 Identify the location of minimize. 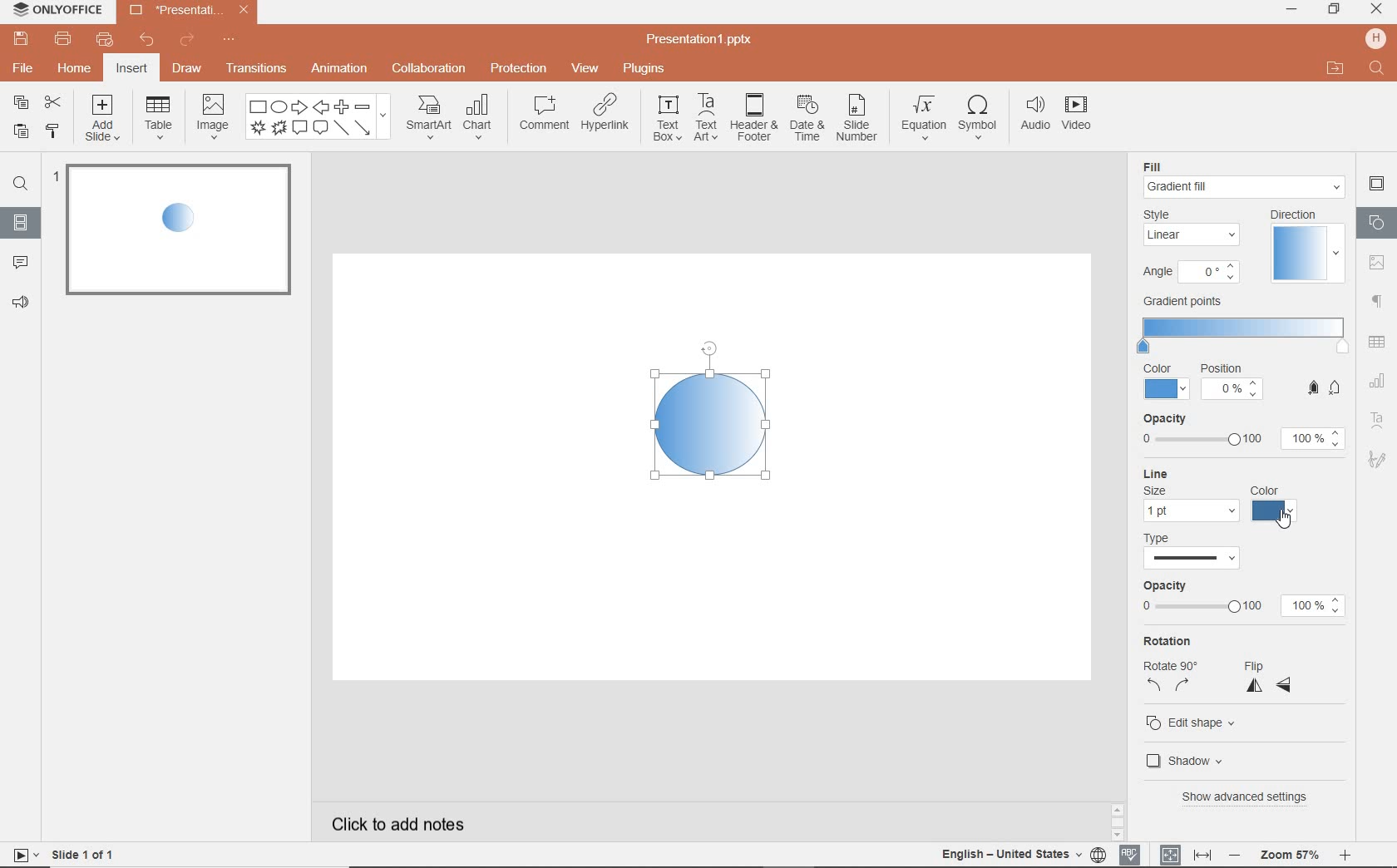
(1293, 9).